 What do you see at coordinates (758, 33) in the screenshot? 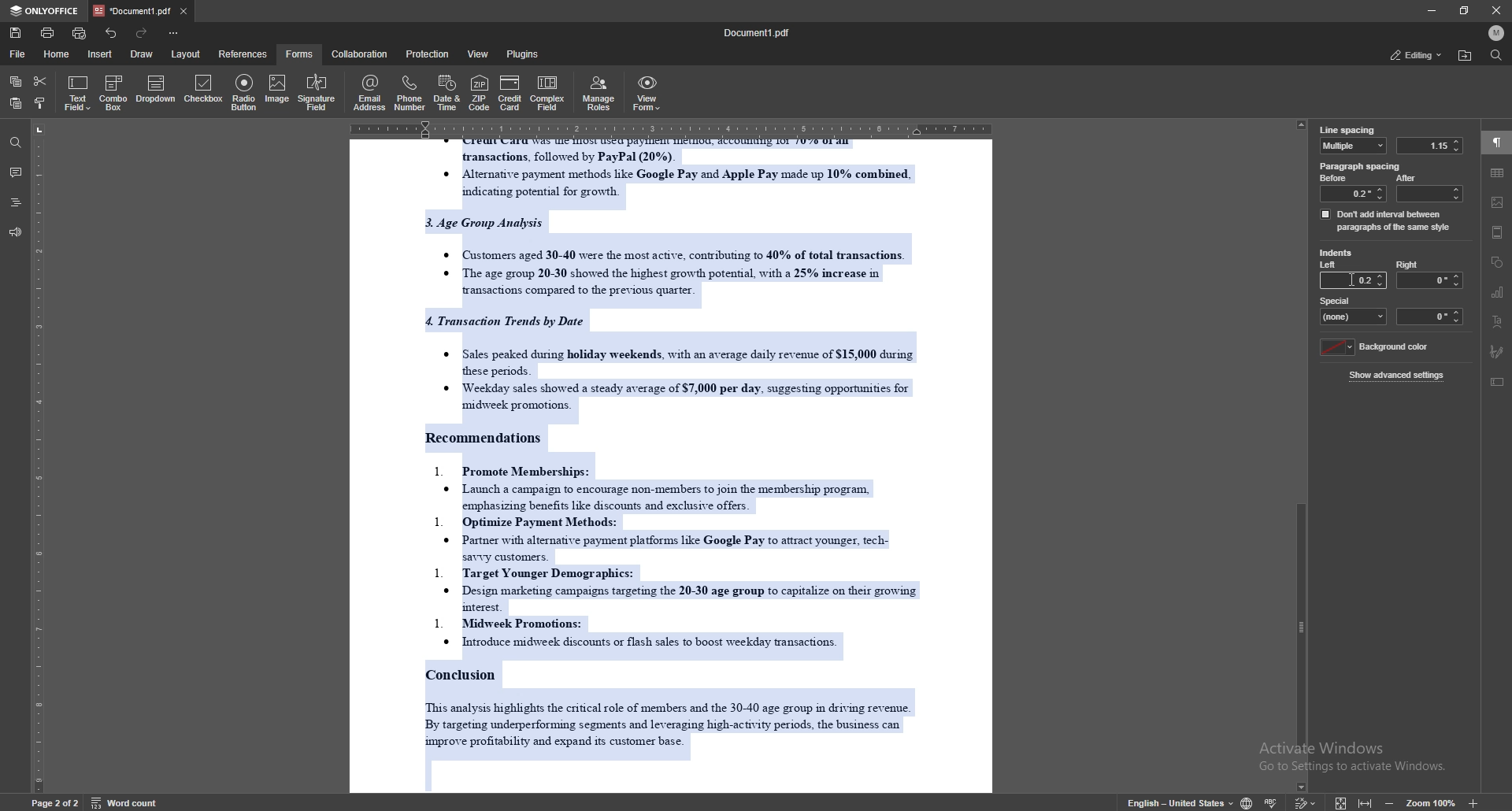
I see `file name` at bounding box center [758, 33].